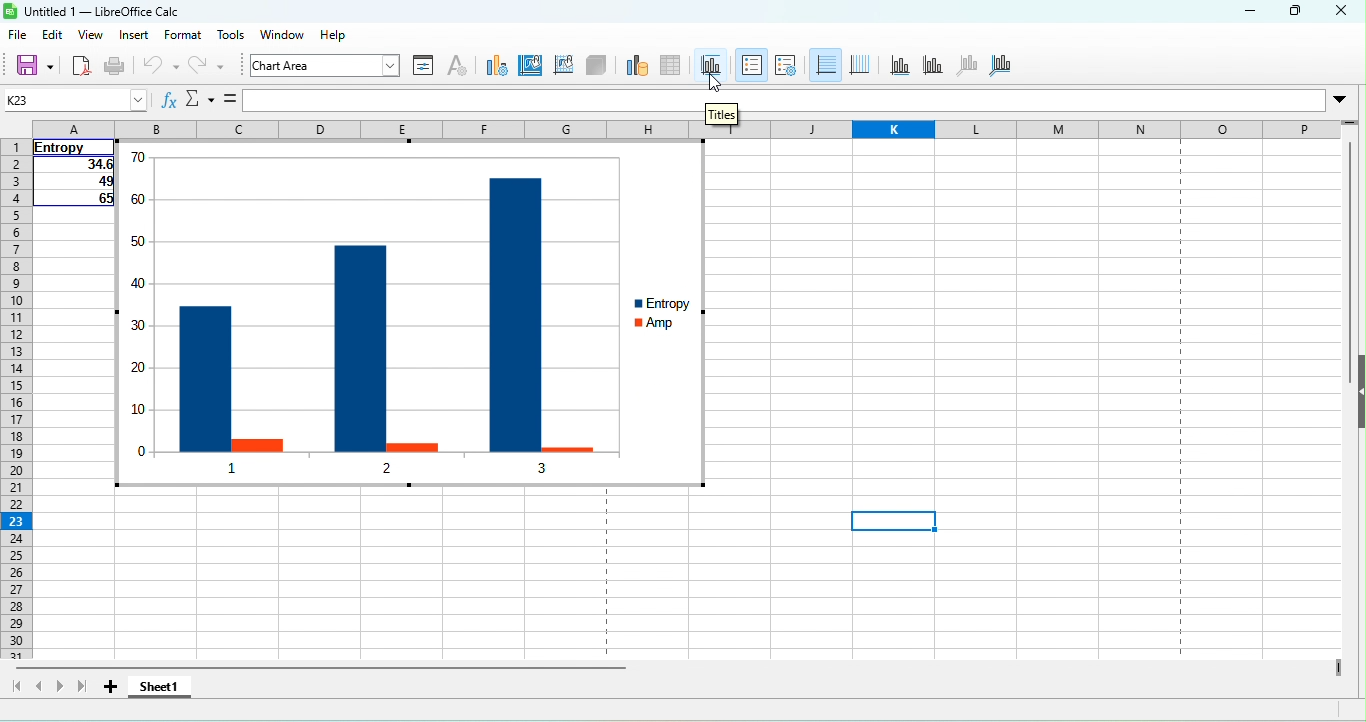 The height and width of the screenshot is (722, 1366). What do you see at coordinates (864, 65) in the screenshot?
I see `vertical gids` at bounding box center [864, 65].